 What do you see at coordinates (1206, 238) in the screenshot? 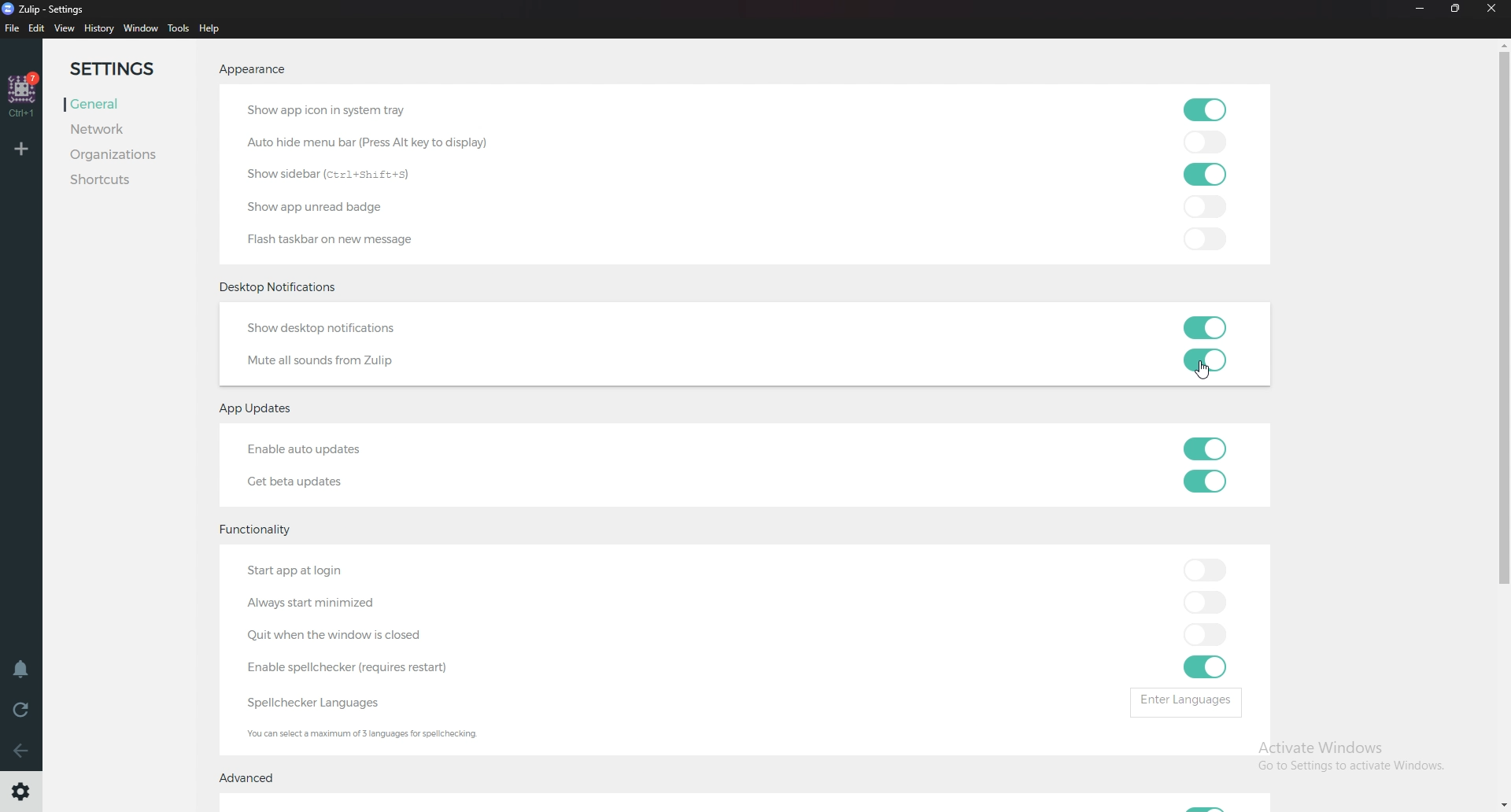
I see `toggle` at bounding box center [1206, 238].